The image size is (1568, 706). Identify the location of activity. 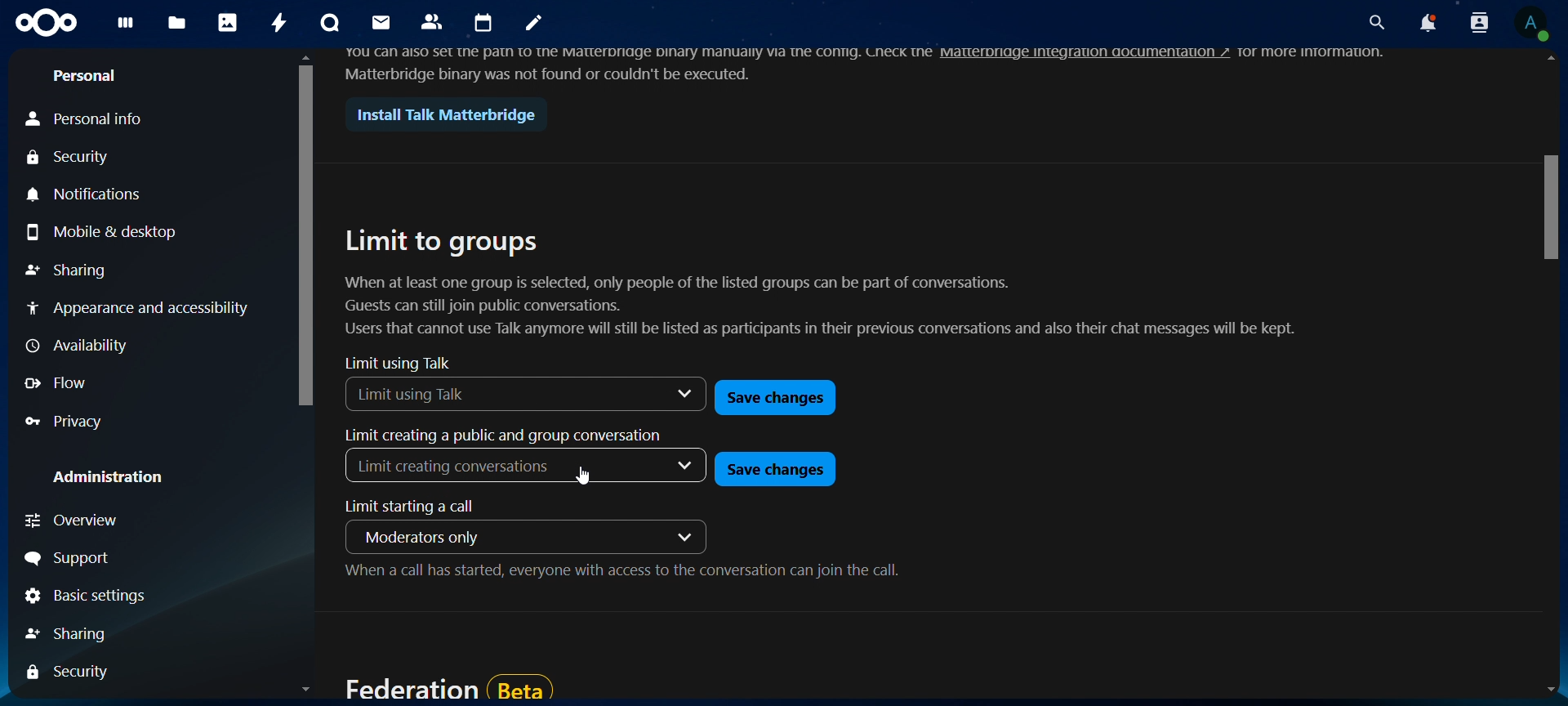
(280, 22).